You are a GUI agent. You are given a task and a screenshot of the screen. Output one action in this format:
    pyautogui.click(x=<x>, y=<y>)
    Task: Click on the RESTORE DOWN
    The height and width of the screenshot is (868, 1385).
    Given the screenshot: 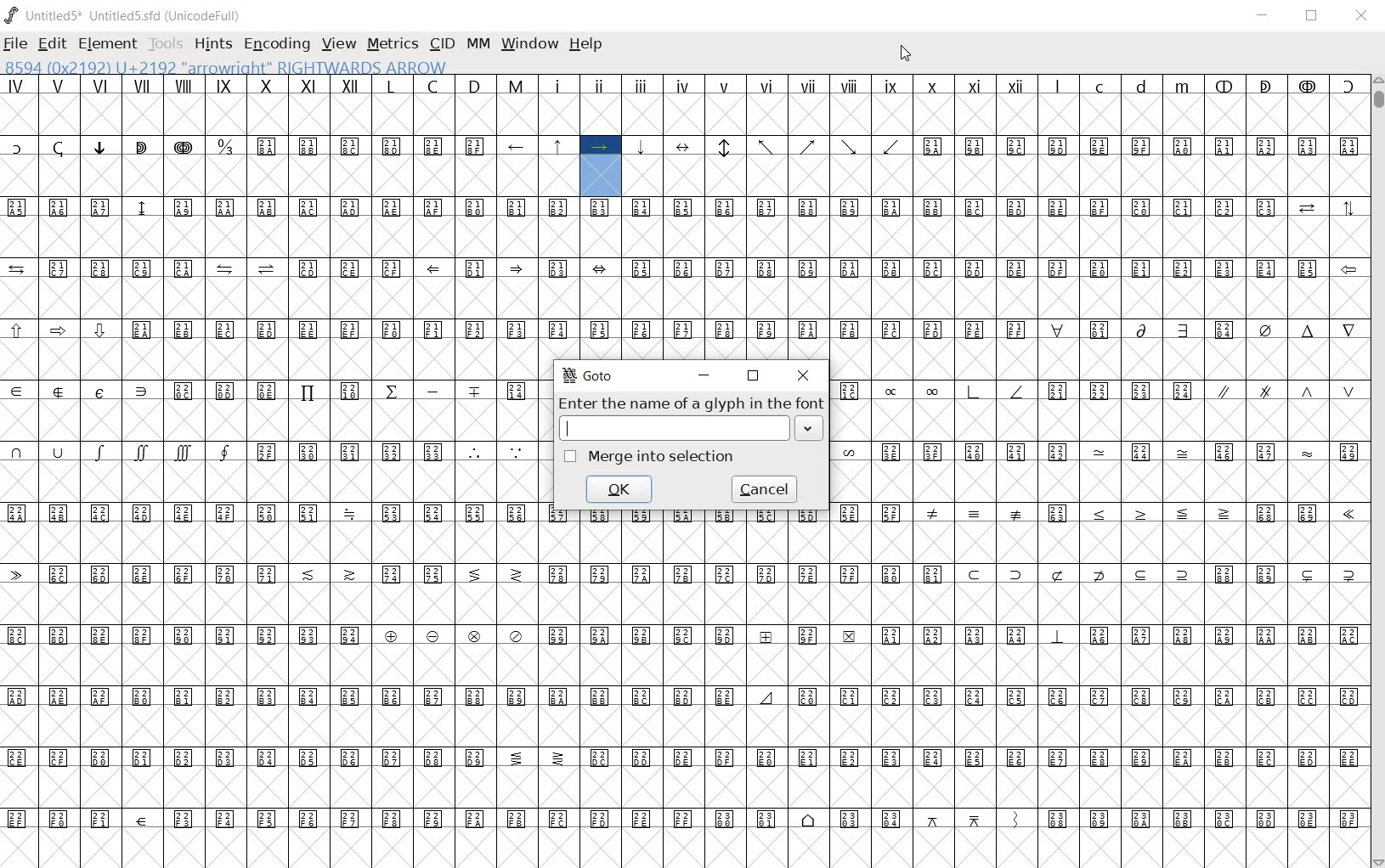 What is the action you would take?
    pyautogui.click(x=1313, y=16)
    